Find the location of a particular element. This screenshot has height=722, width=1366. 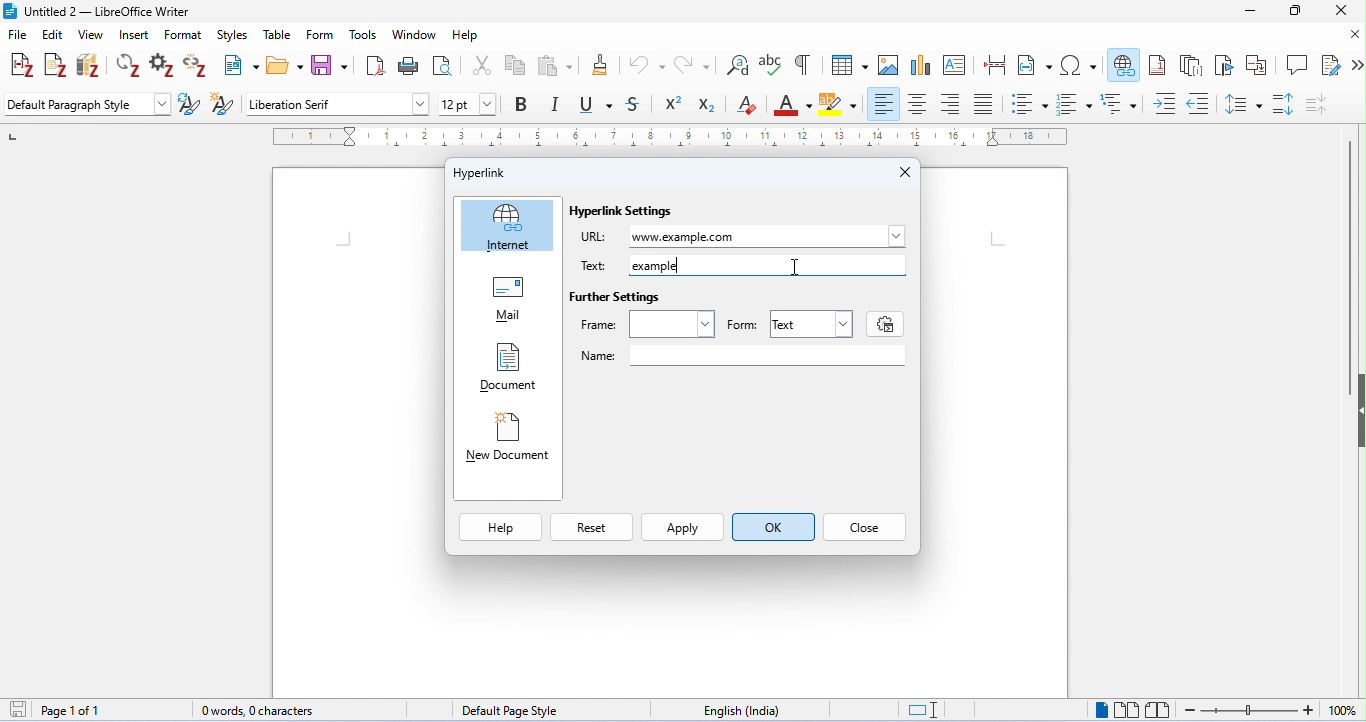

hide is located at coordinates (1357, 413).